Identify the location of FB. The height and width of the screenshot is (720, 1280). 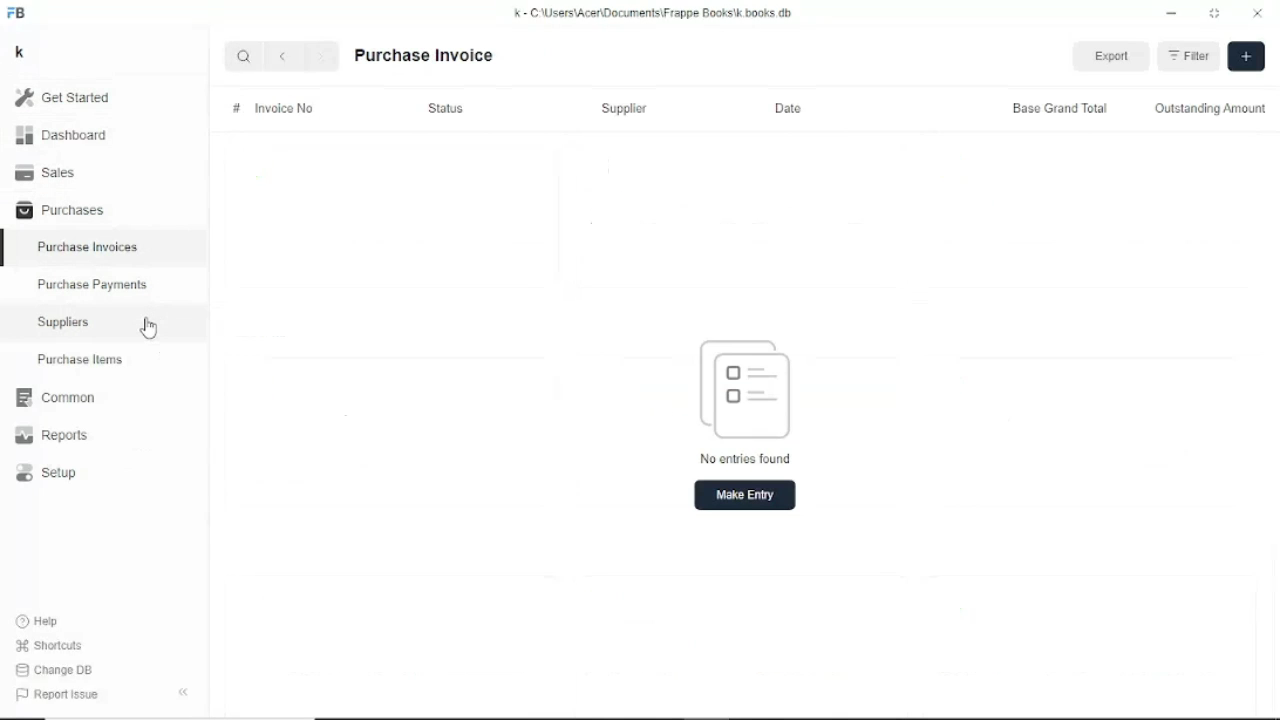
(18, 12).